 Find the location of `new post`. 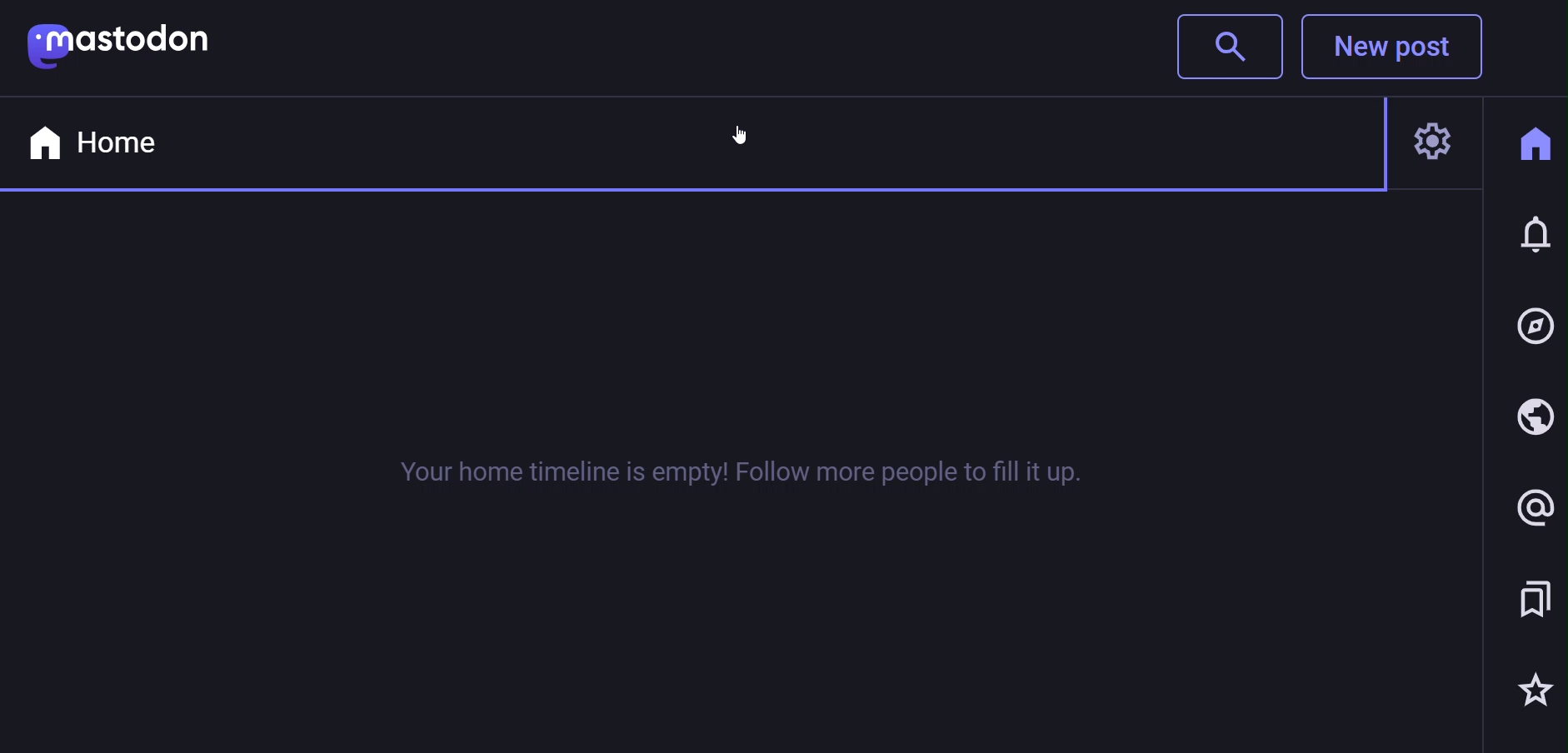

new post is located at coordinates (1400, 49).